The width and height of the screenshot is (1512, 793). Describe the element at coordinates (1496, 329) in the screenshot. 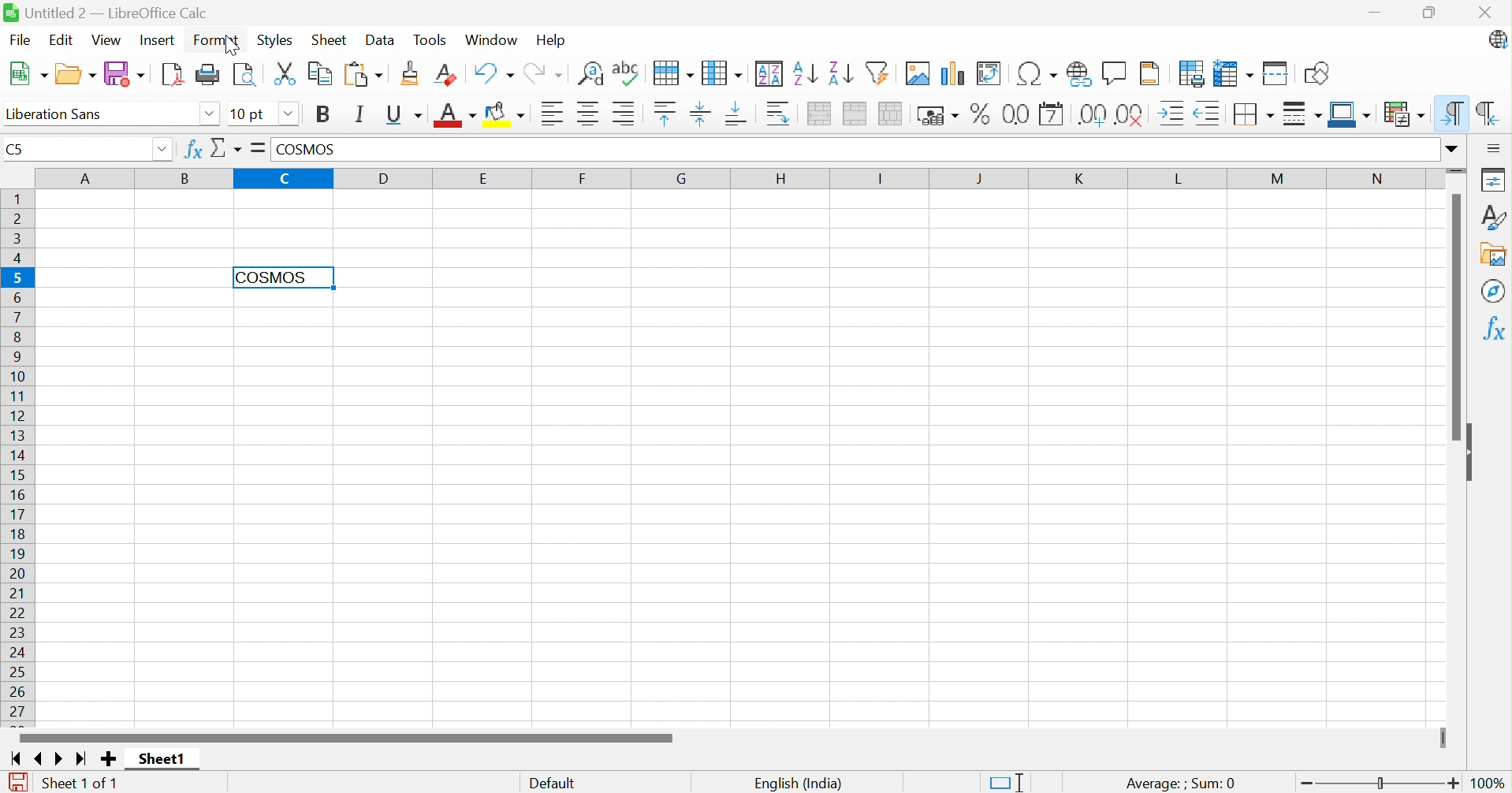

I see `Functions` at that location.